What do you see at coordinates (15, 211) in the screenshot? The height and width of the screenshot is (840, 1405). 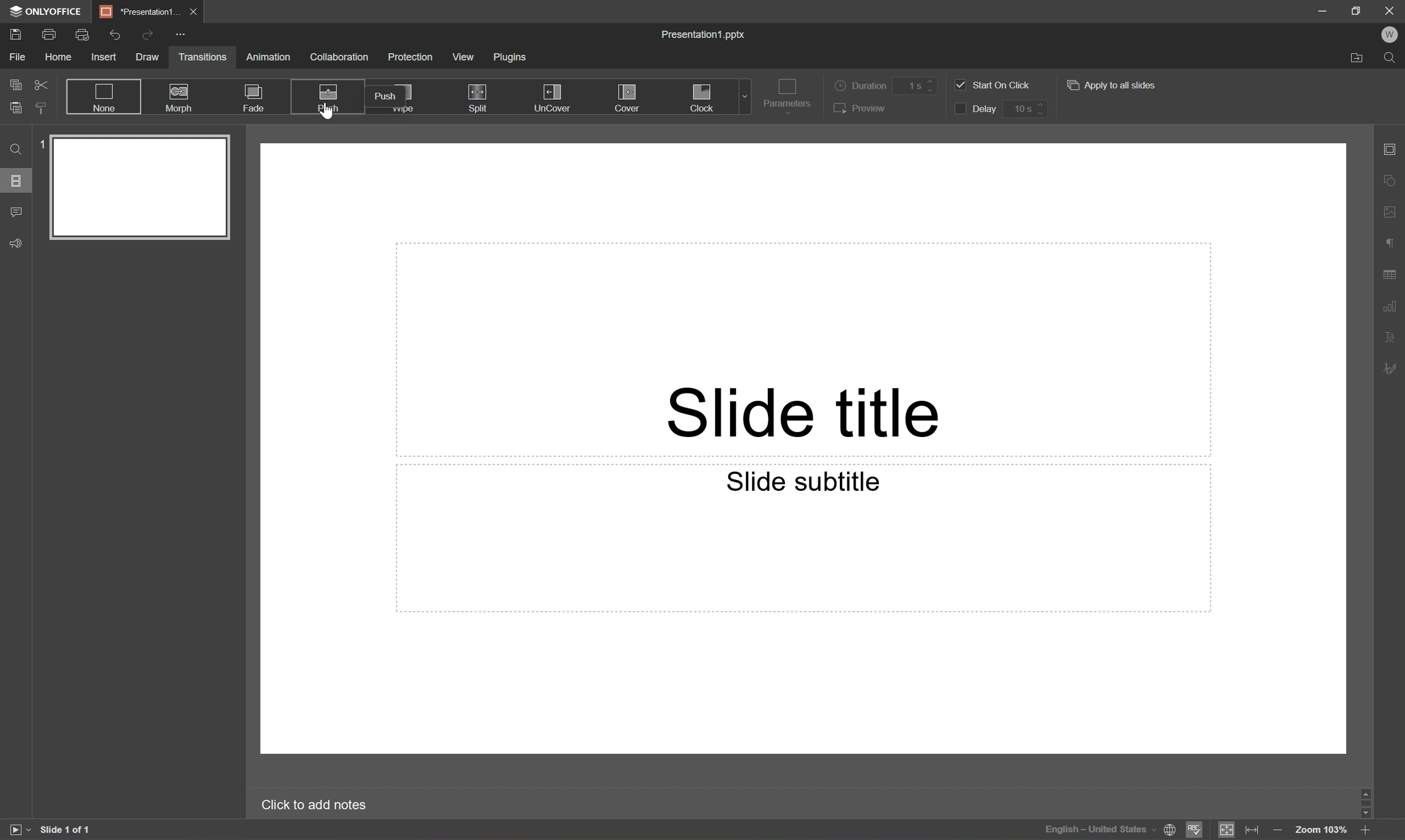 I see `Comments` at bounding box center [15, 211].